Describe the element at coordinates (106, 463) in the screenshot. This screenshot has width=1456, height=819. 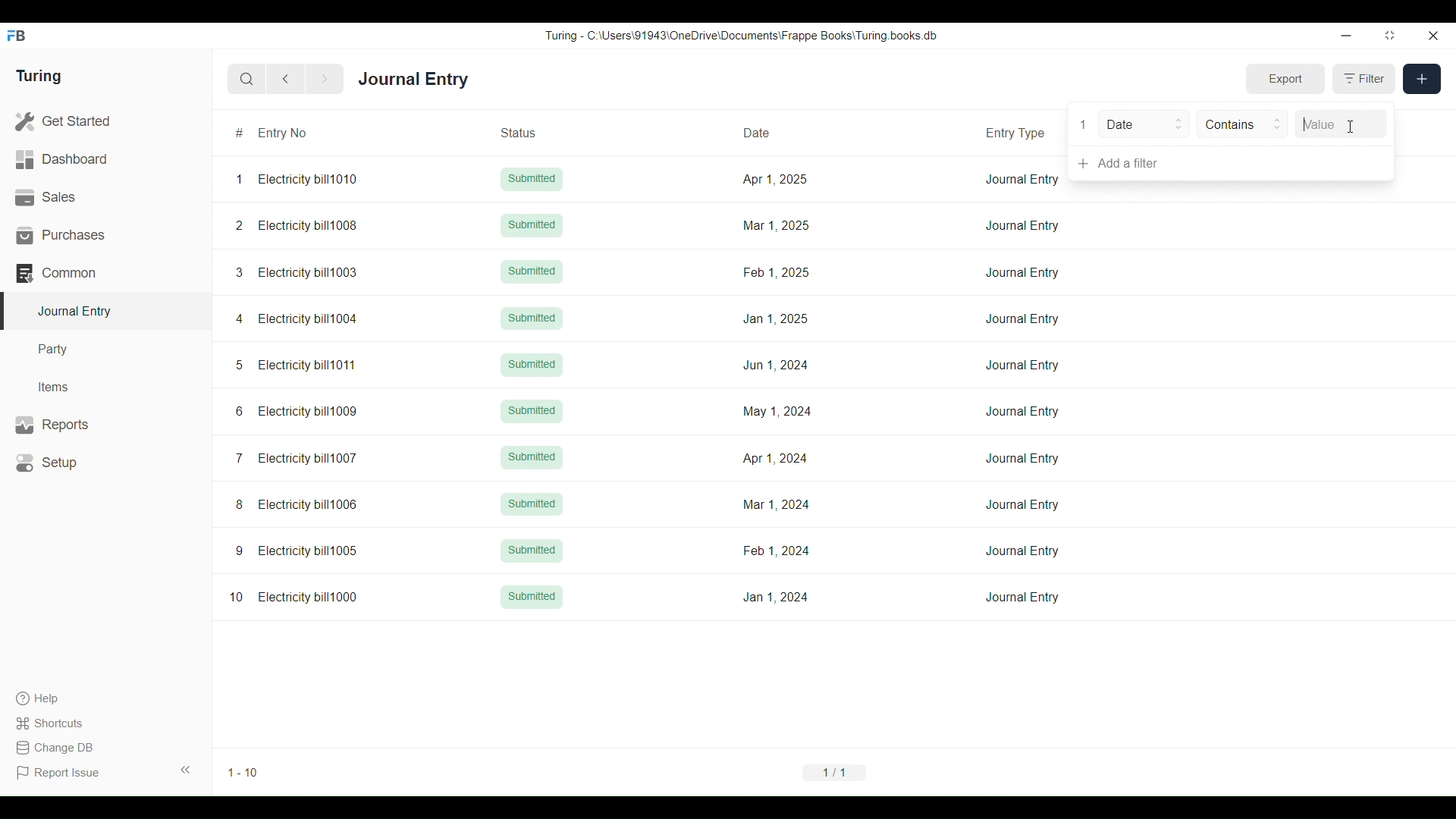
I see `Setup` at that location.